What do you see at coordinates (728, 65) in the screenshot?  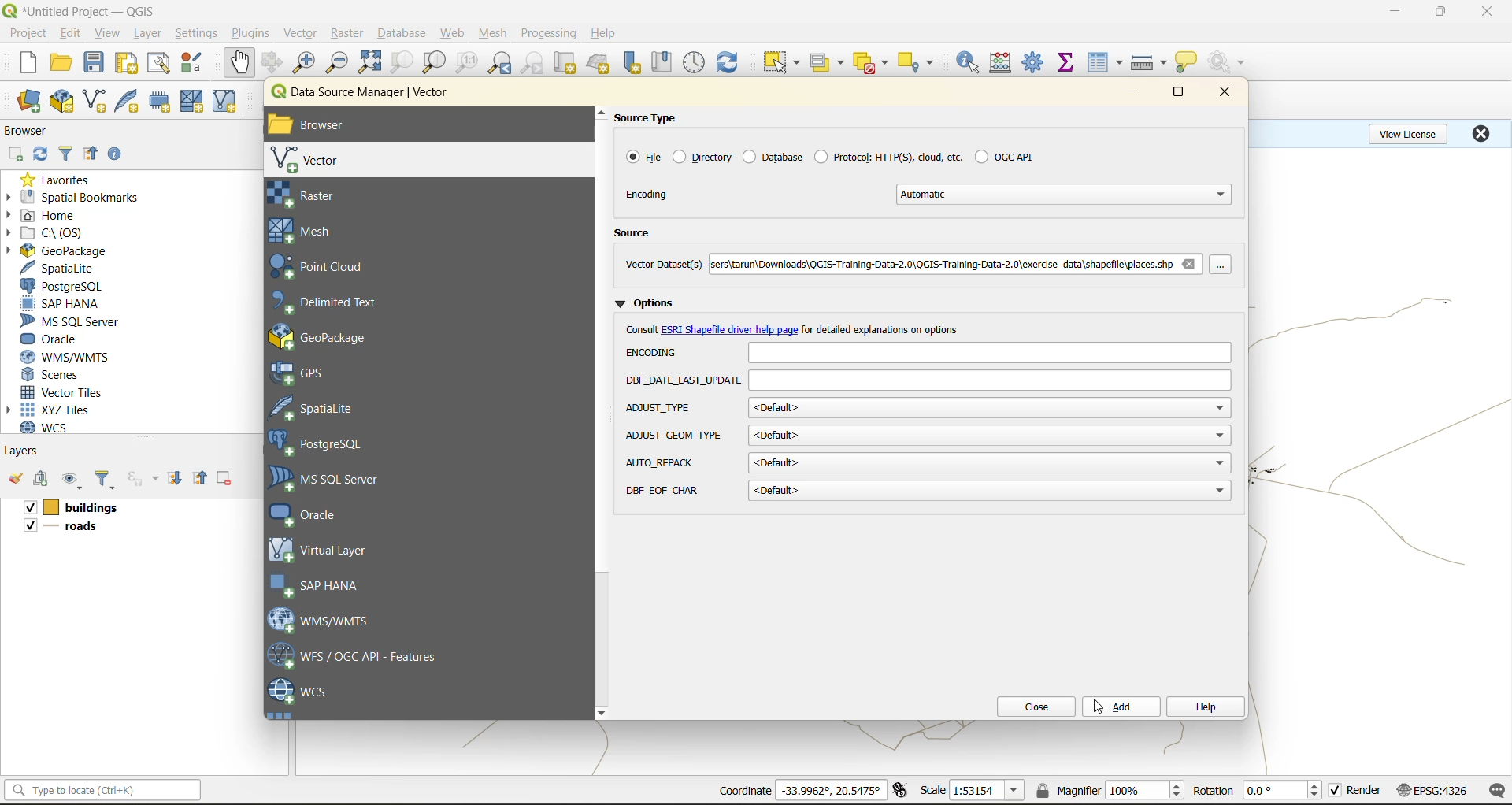 I see `refresh` at bounding box center [728, 65].